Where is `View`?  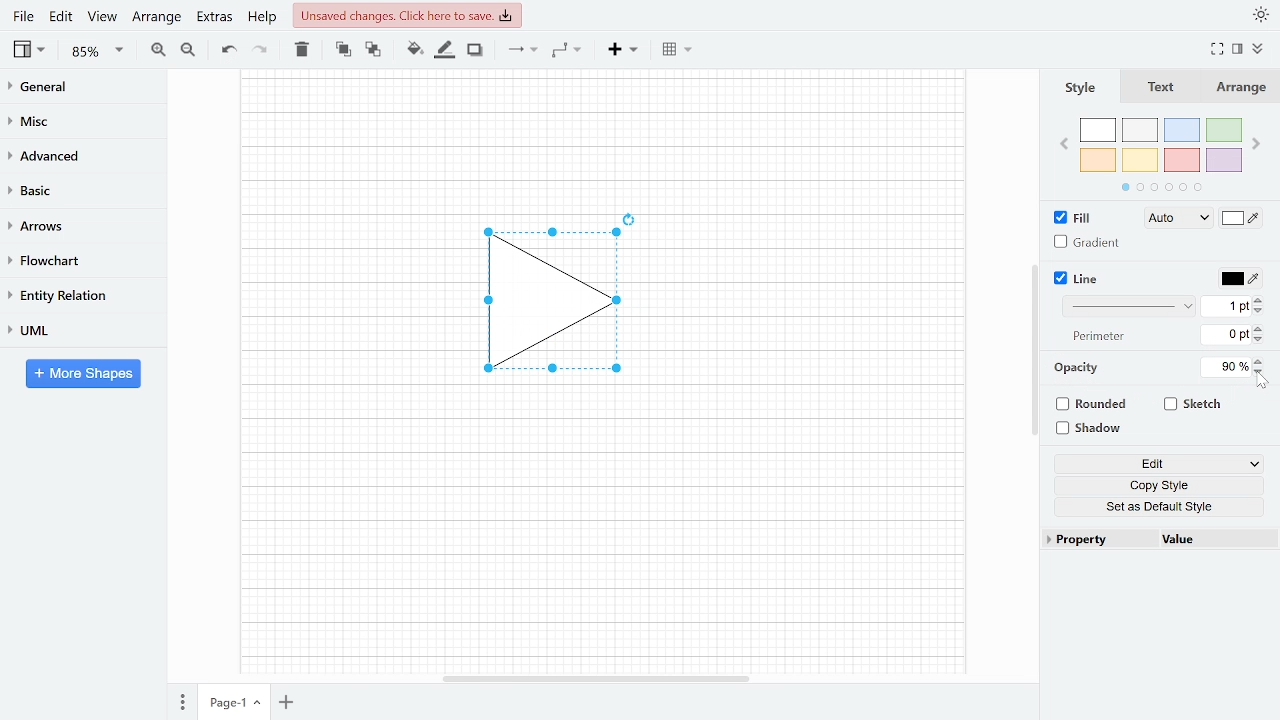 View is located at coordinates (31, 49).